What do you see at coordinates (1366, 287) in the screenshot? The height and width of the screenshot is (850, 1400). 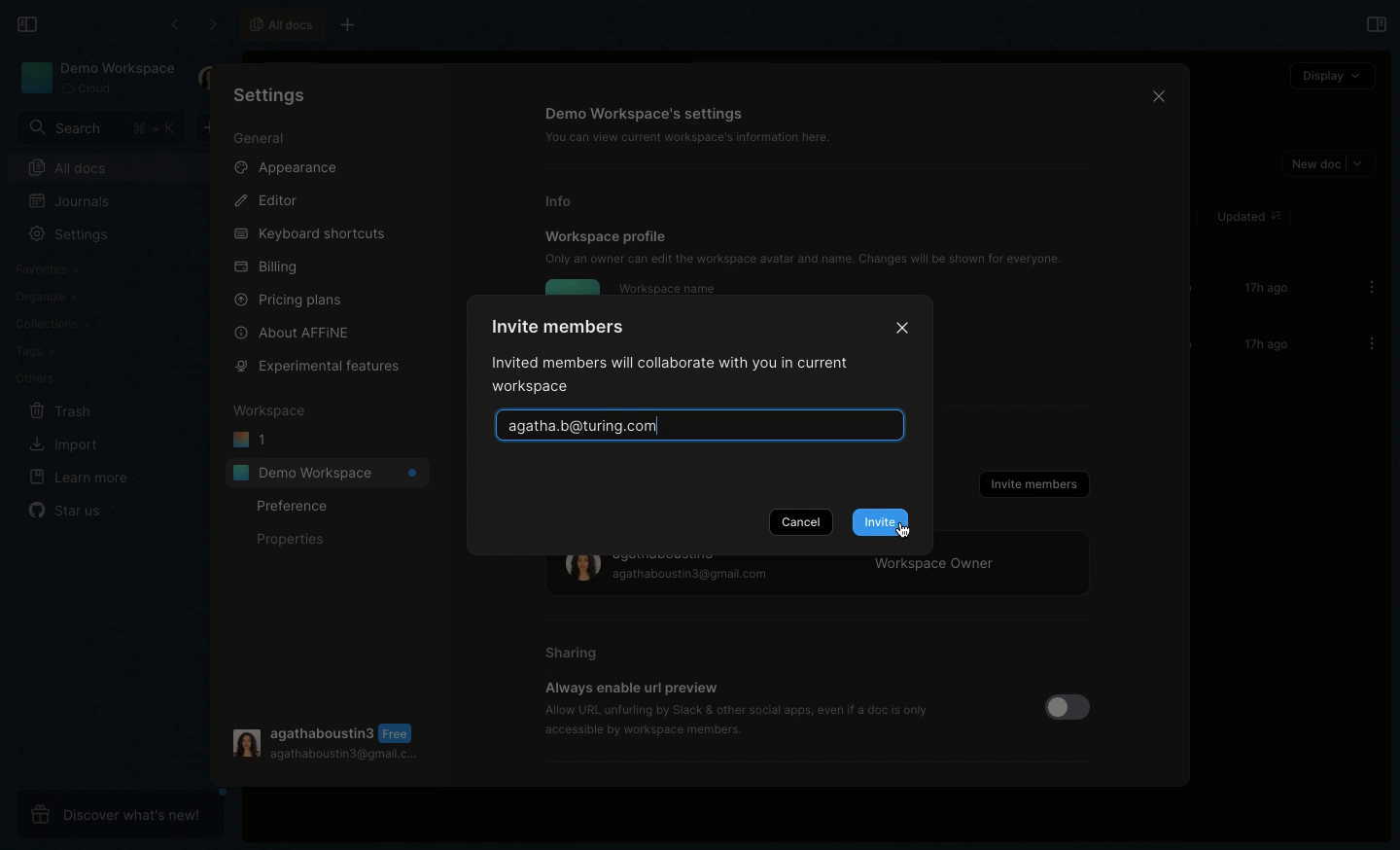 I see `Options` at bounding box center [1366, 287].